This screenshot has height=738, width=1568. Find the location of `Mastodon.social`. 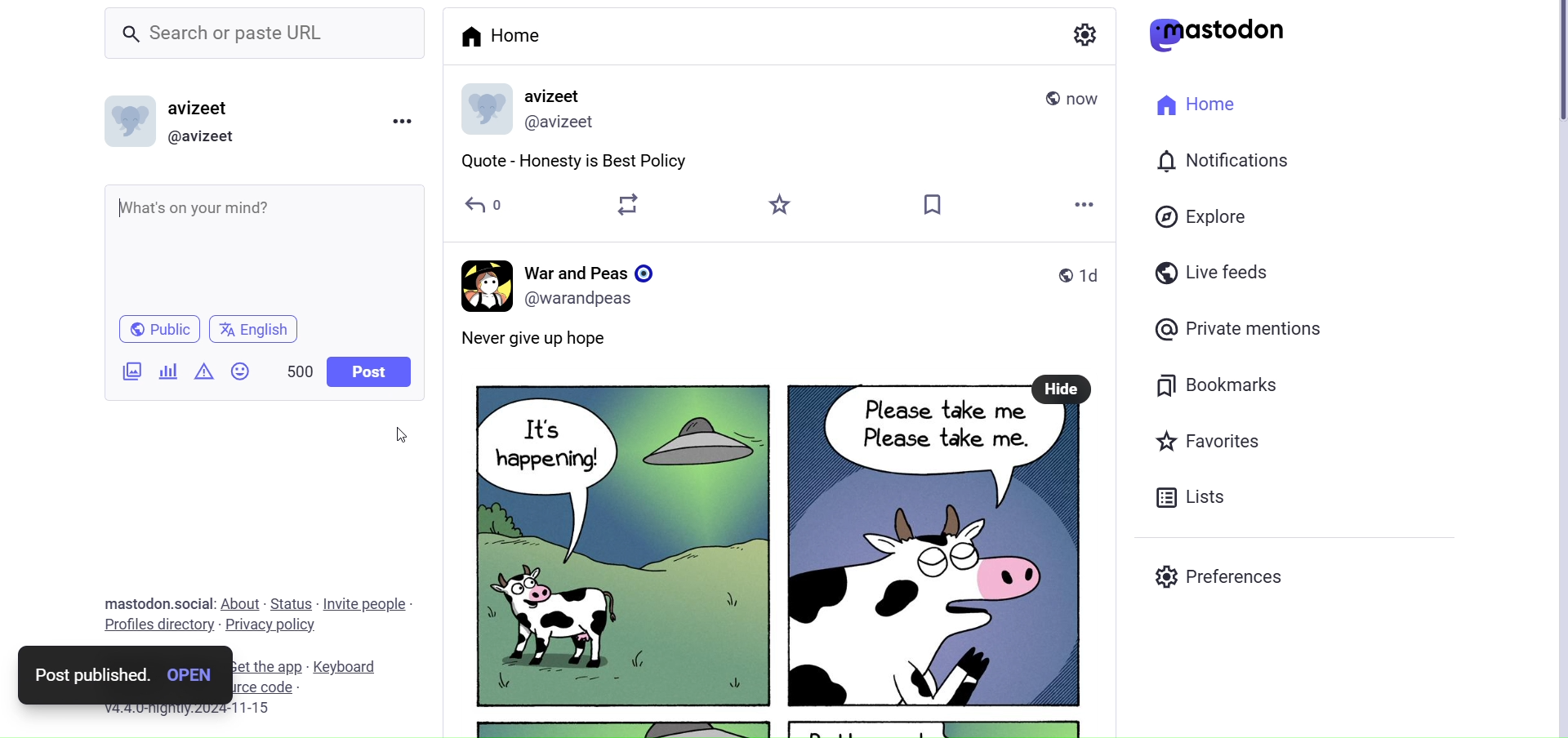

Mastodon.social is located at coordinates (155, 601).